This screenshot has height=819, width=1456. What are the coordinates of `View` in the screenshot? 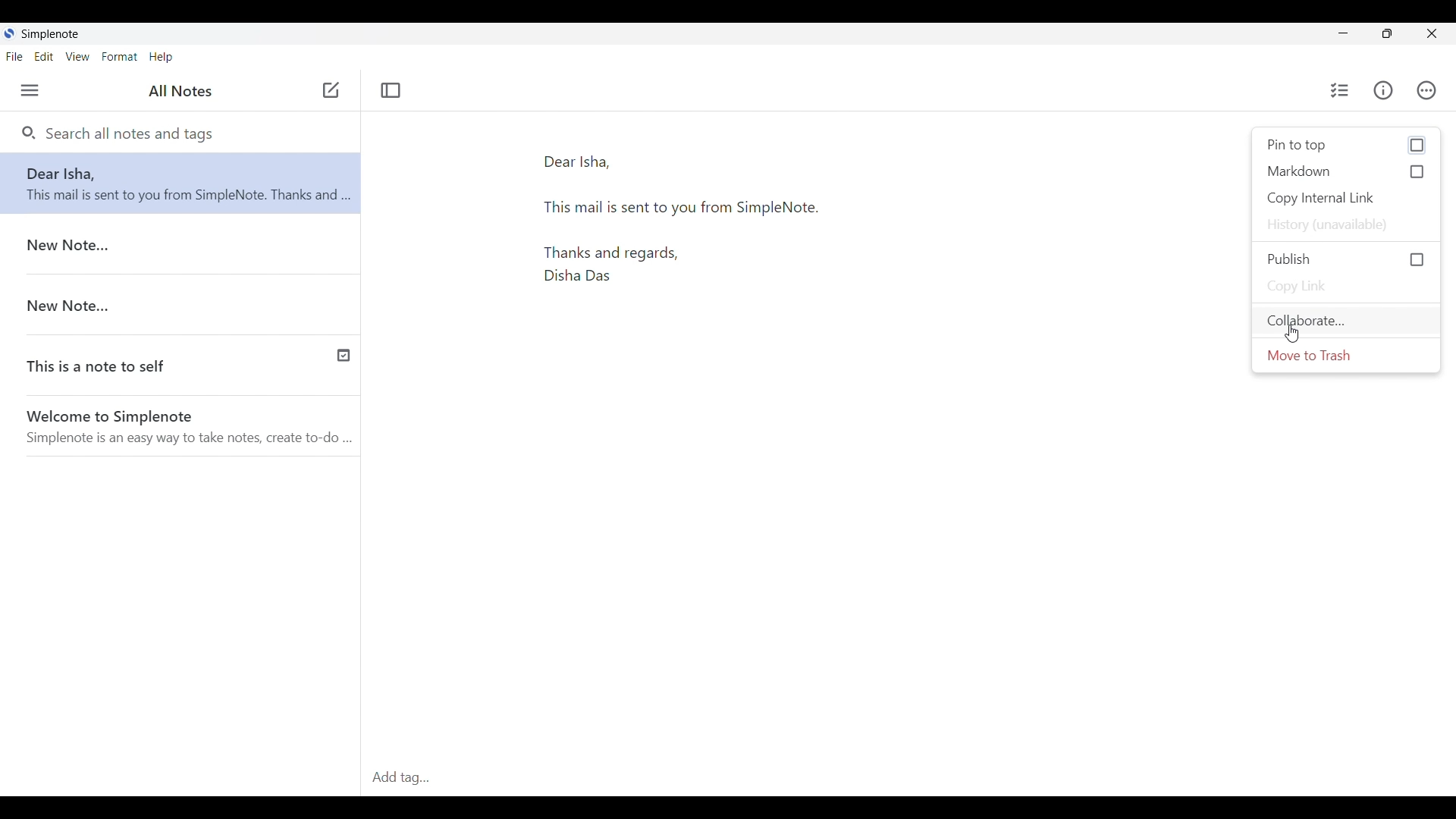 It's located at (78, 56).